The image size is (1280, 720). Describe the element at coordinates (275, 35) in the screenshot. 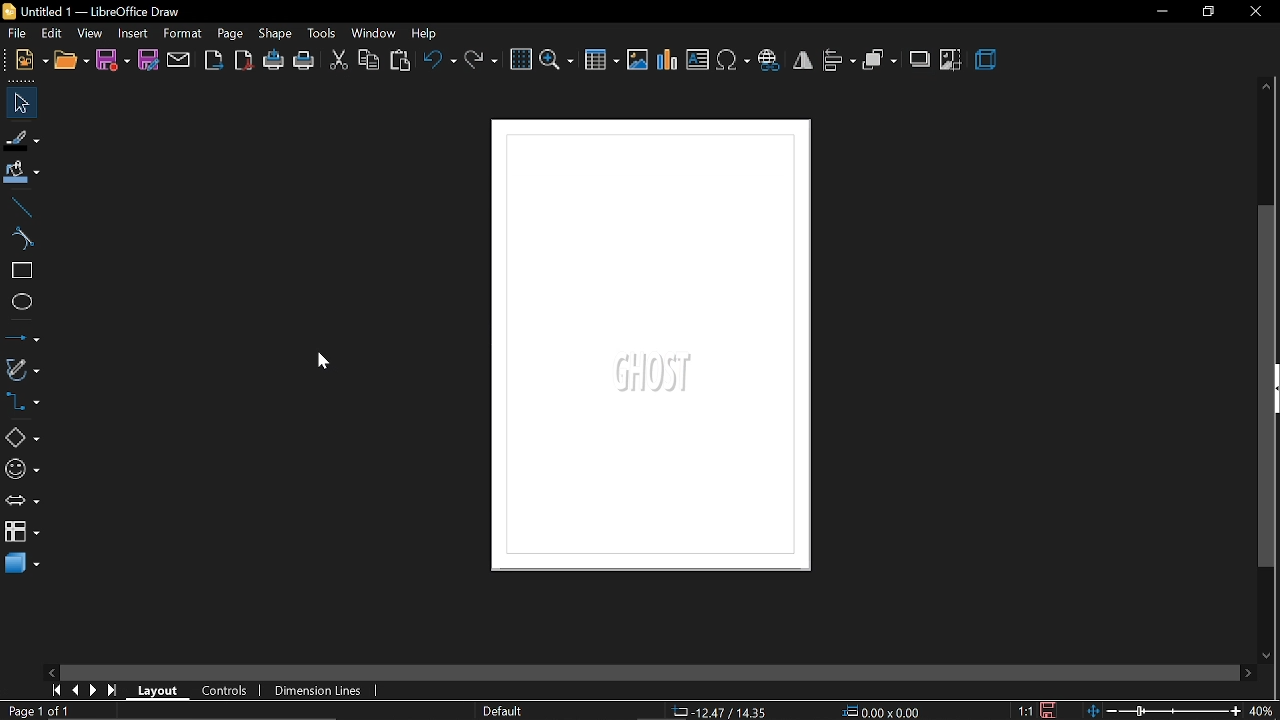

I see `shape` at that location.